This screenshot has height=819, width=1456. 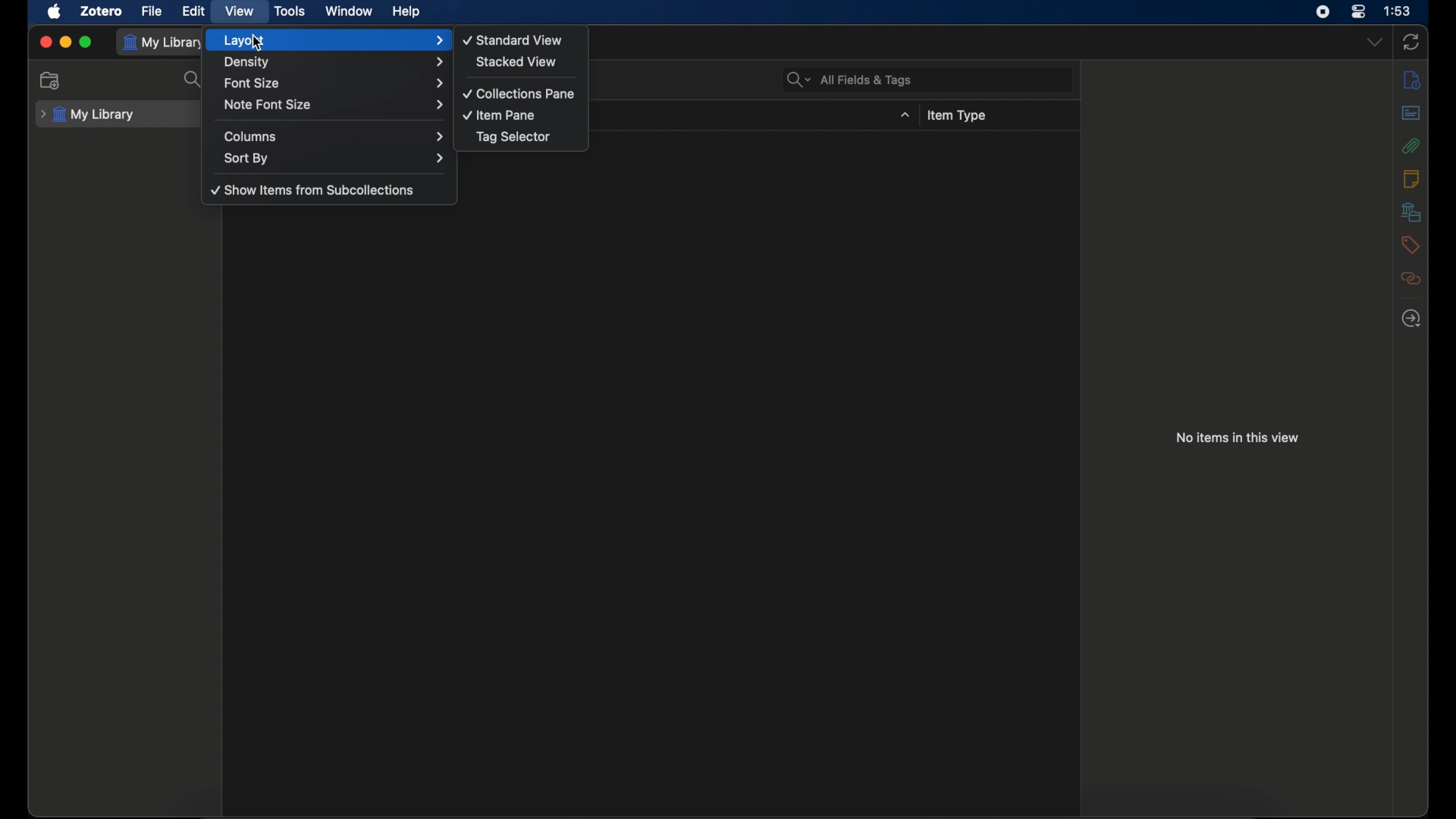 What do you see at coordinates (1323, 11) in the screenshot?
I see `screen recorder` at bounding box center [1323, 11].